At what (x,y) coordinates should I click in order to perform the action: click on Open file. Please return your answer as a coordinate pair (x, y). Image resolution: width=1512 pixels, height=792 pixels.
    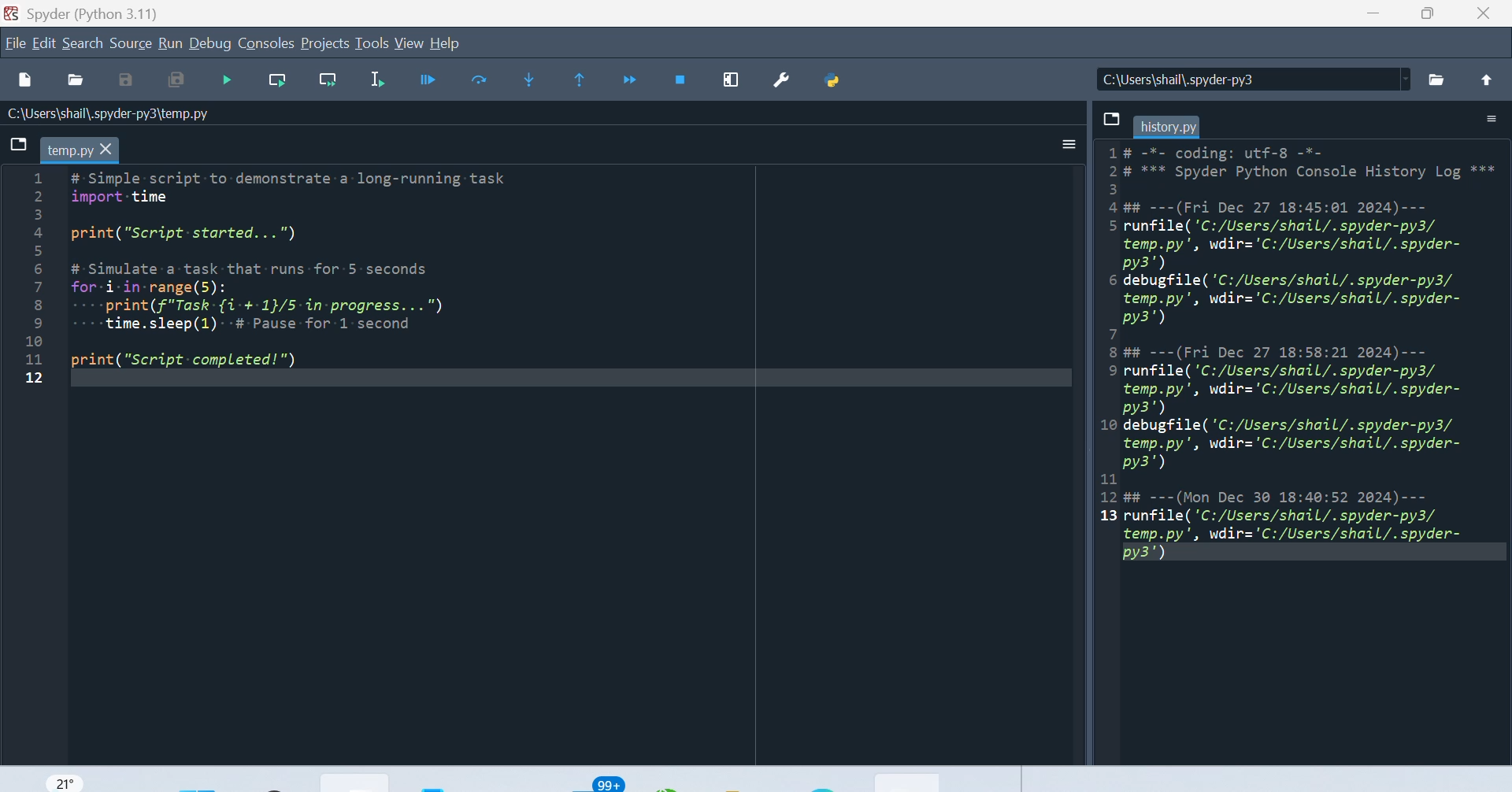
    Looking at the image, I should click on (77, 81).